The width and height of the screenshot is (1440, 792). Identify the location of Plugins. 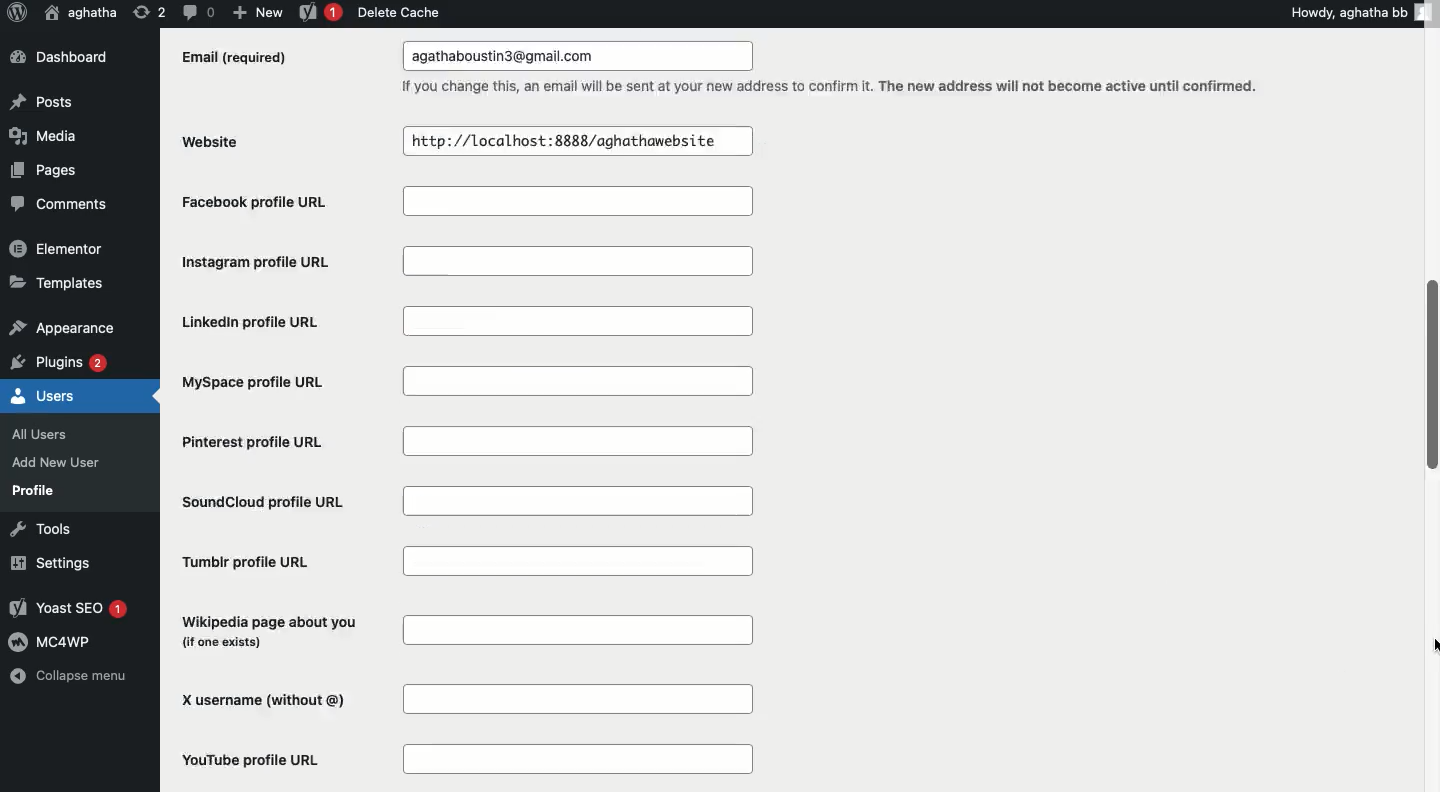
(61, 360).